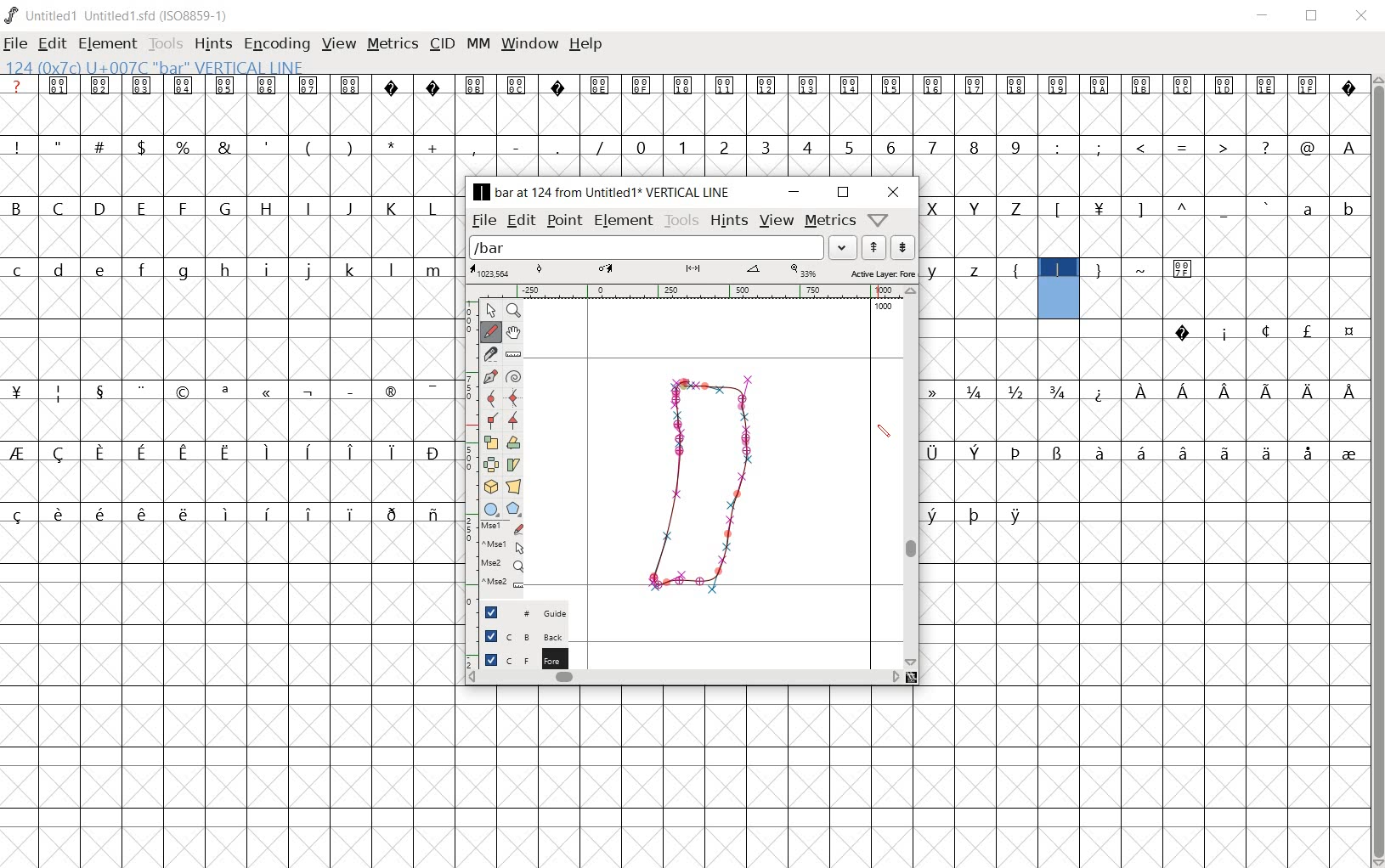 The image size is (1385, 868). I want to click on add a point, then drag out its control points, so click(489, 375).